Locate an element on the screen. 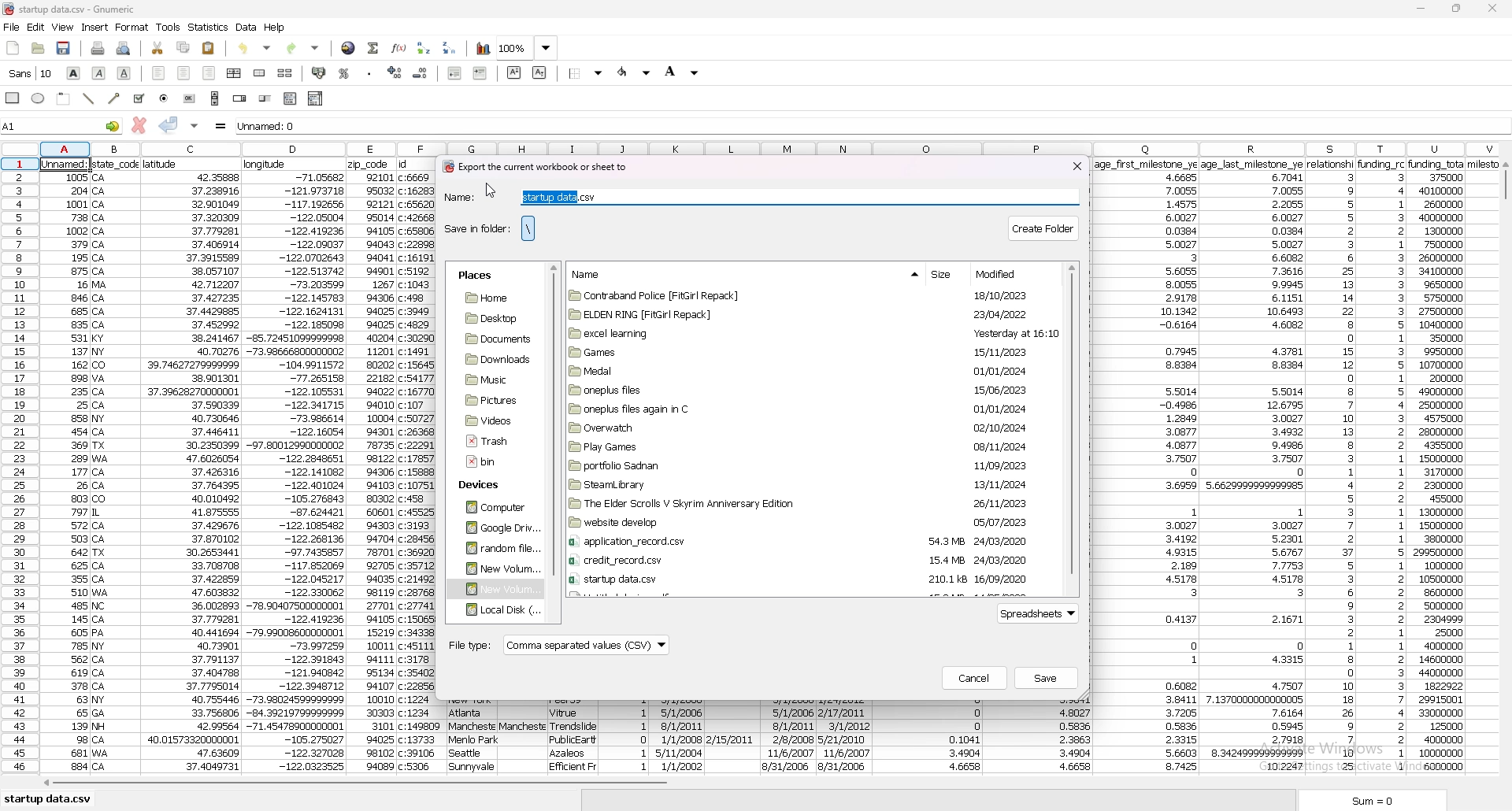 Image resolution: width=1512 pixels, height=811 pixels. data is located at coordinates (1382, 464).